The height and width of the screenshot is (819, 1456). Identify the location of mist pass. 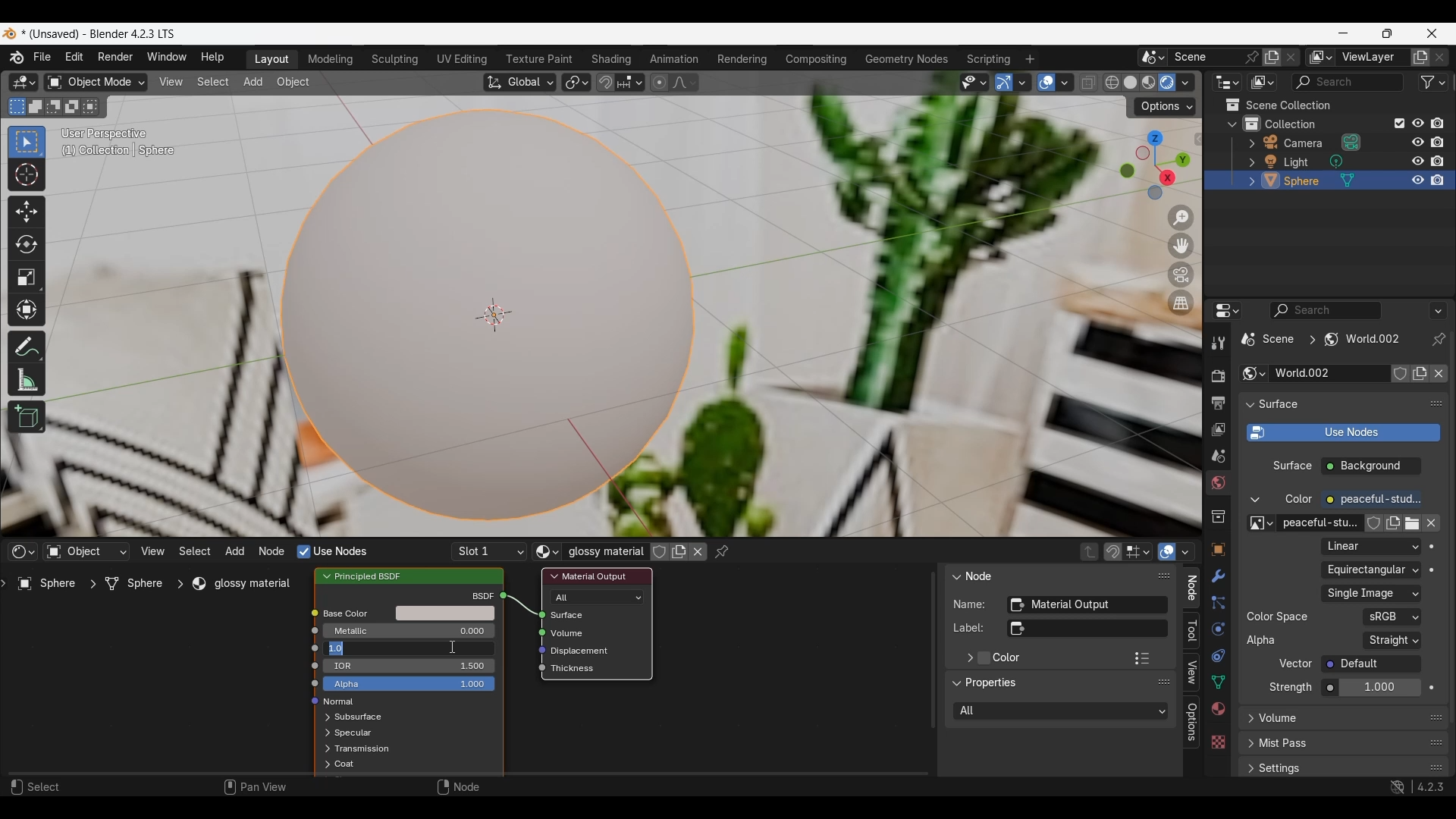
(1285, 744).